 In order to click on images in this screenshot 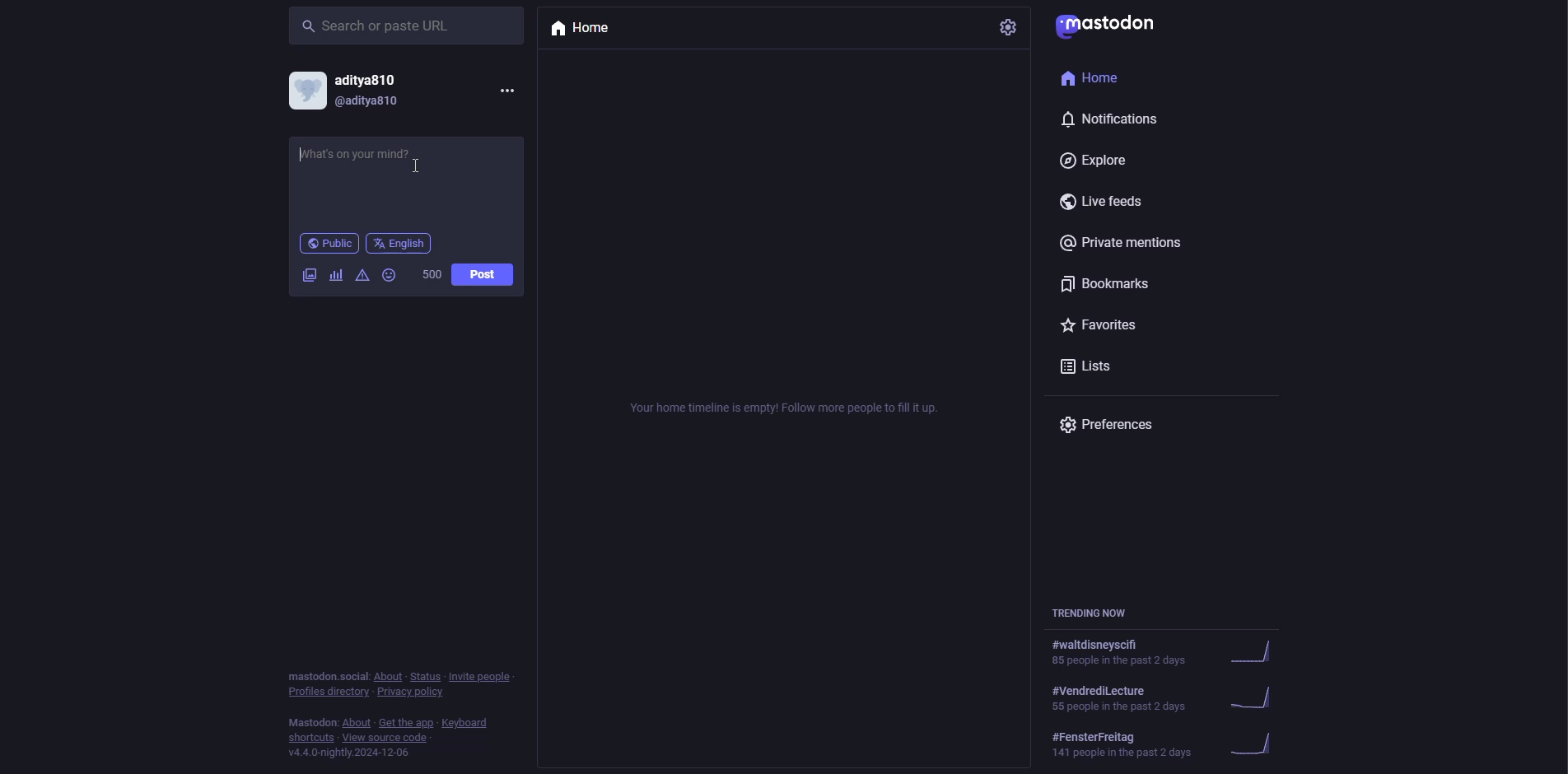, I will do `click(309, 274)`.